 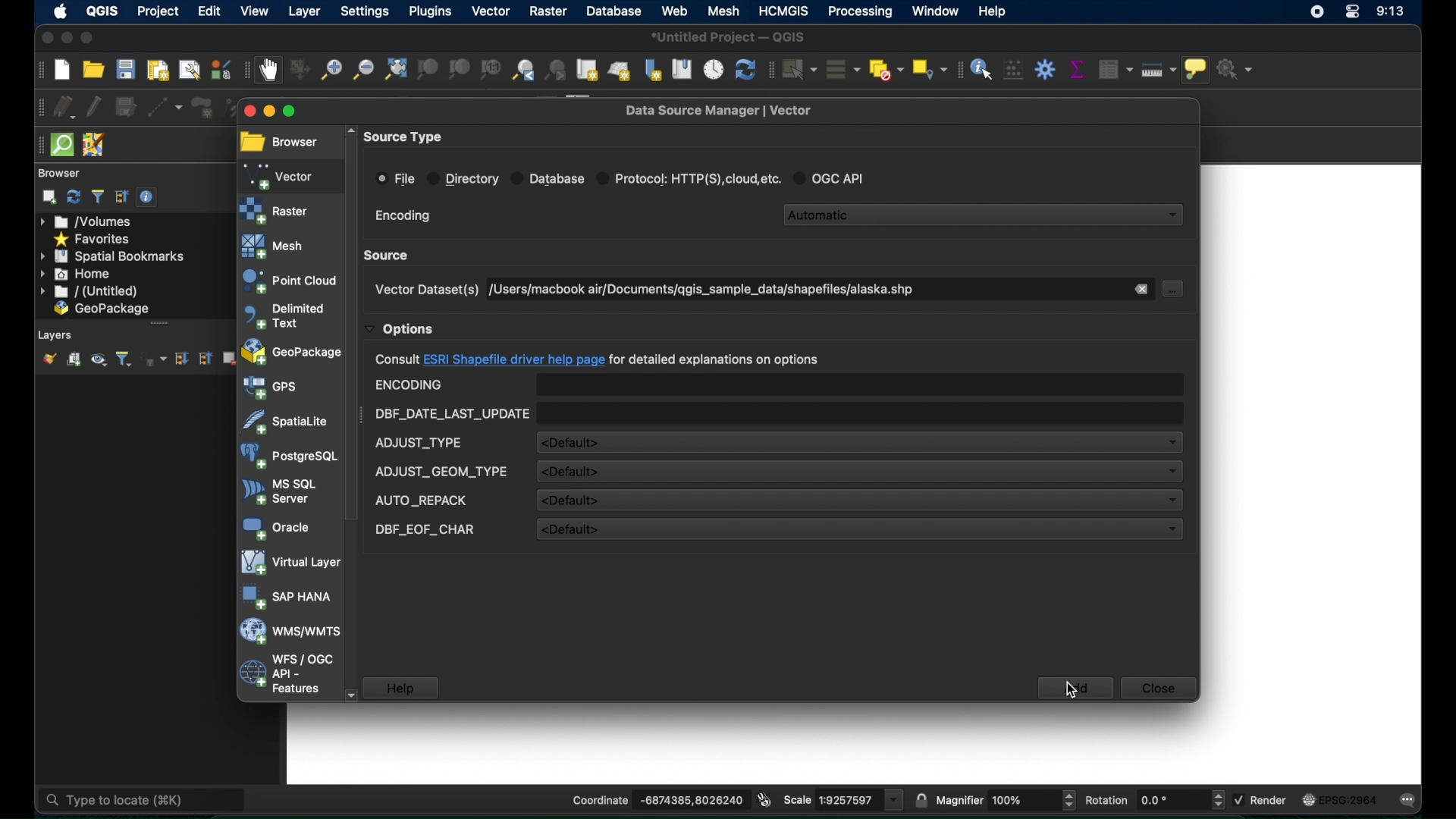 What do you see at coordinates (77, 274) in the screenshot?
I see `home` at bounding box center [77, 274].